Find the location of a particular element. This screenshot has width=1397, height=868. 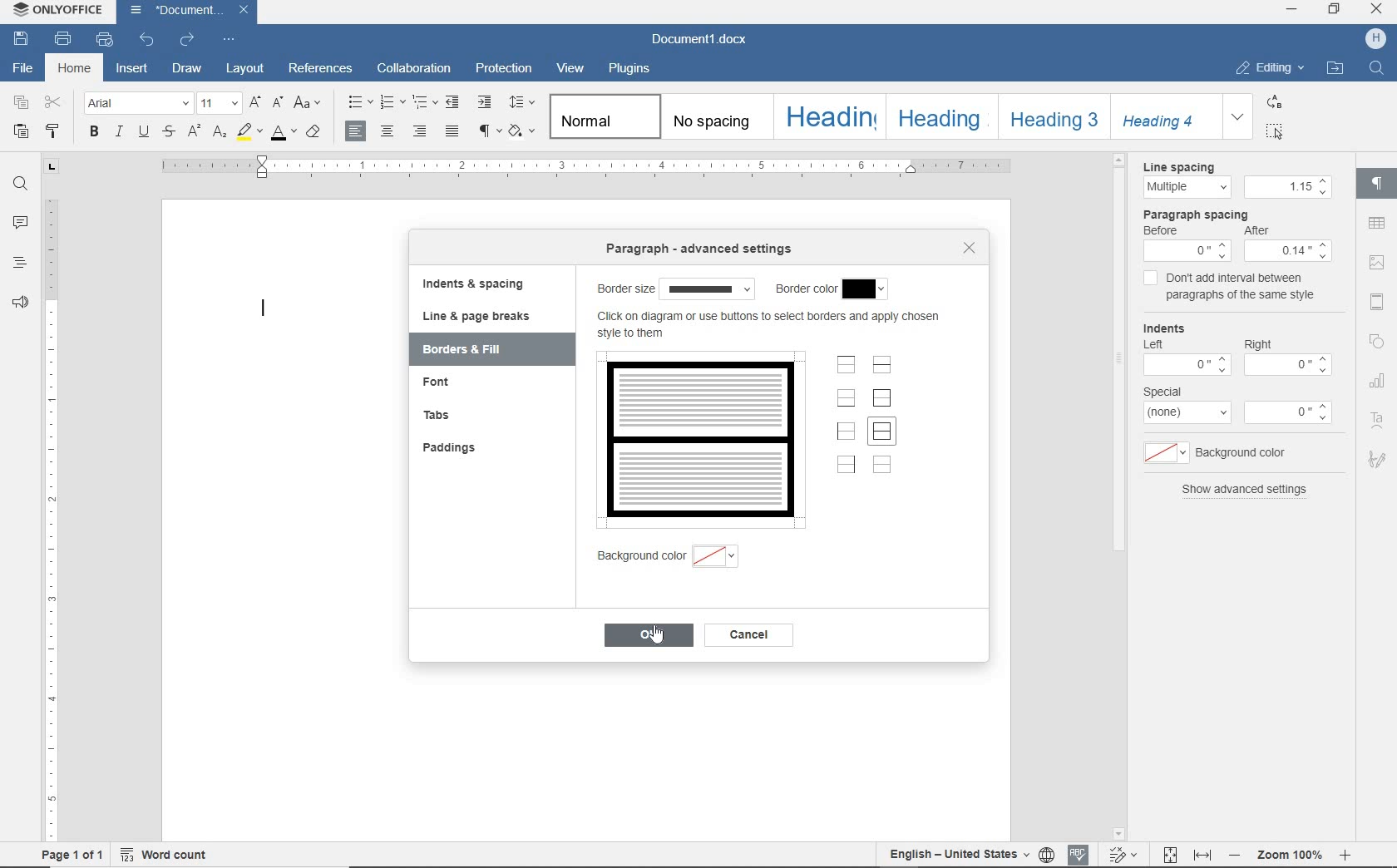

English - United States(text language) is located at coordinates (956, 856).